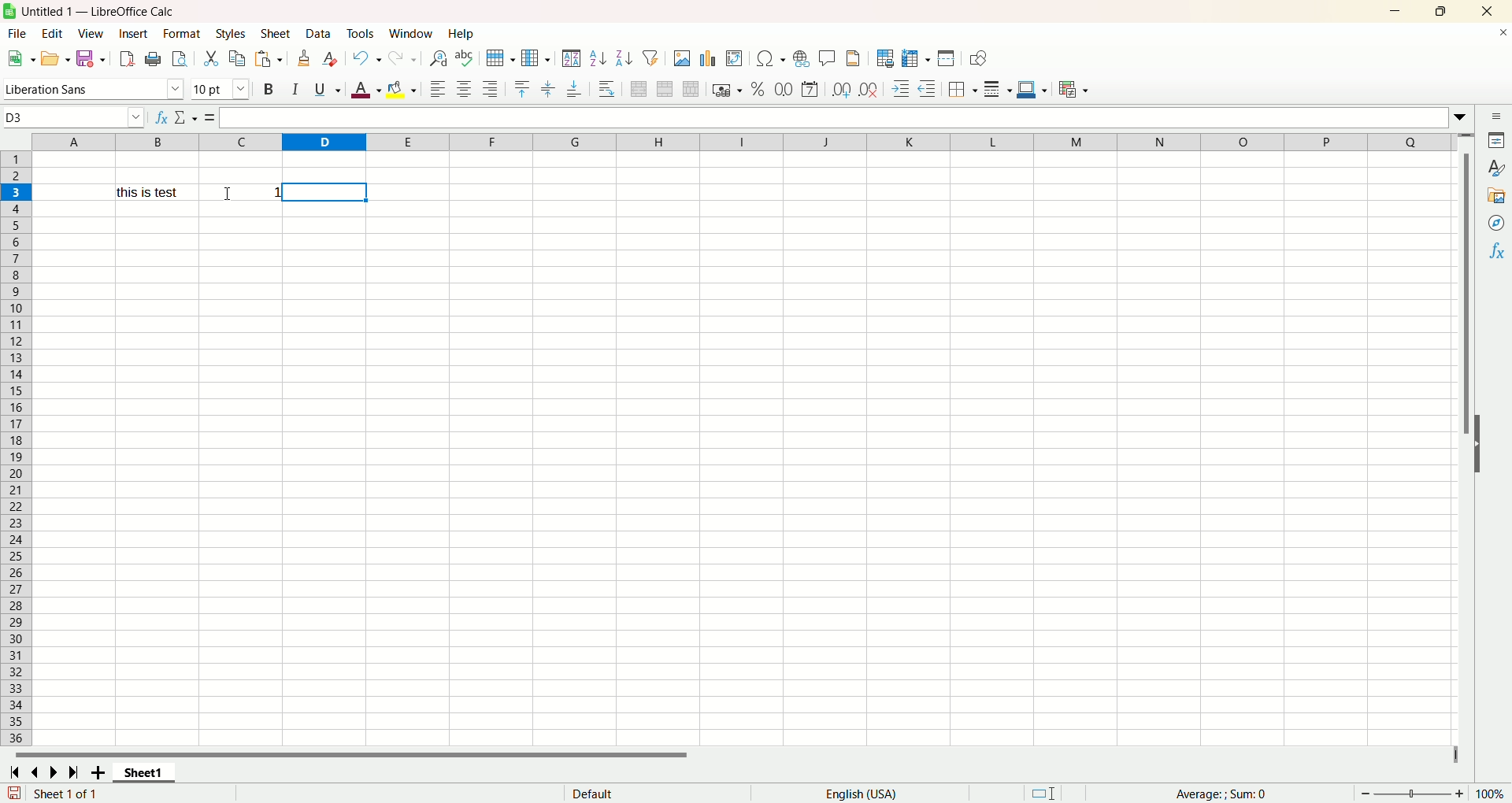 The height and width of the screenshot is (803, 1512). I want to click on merge and center, so click(638, 89).